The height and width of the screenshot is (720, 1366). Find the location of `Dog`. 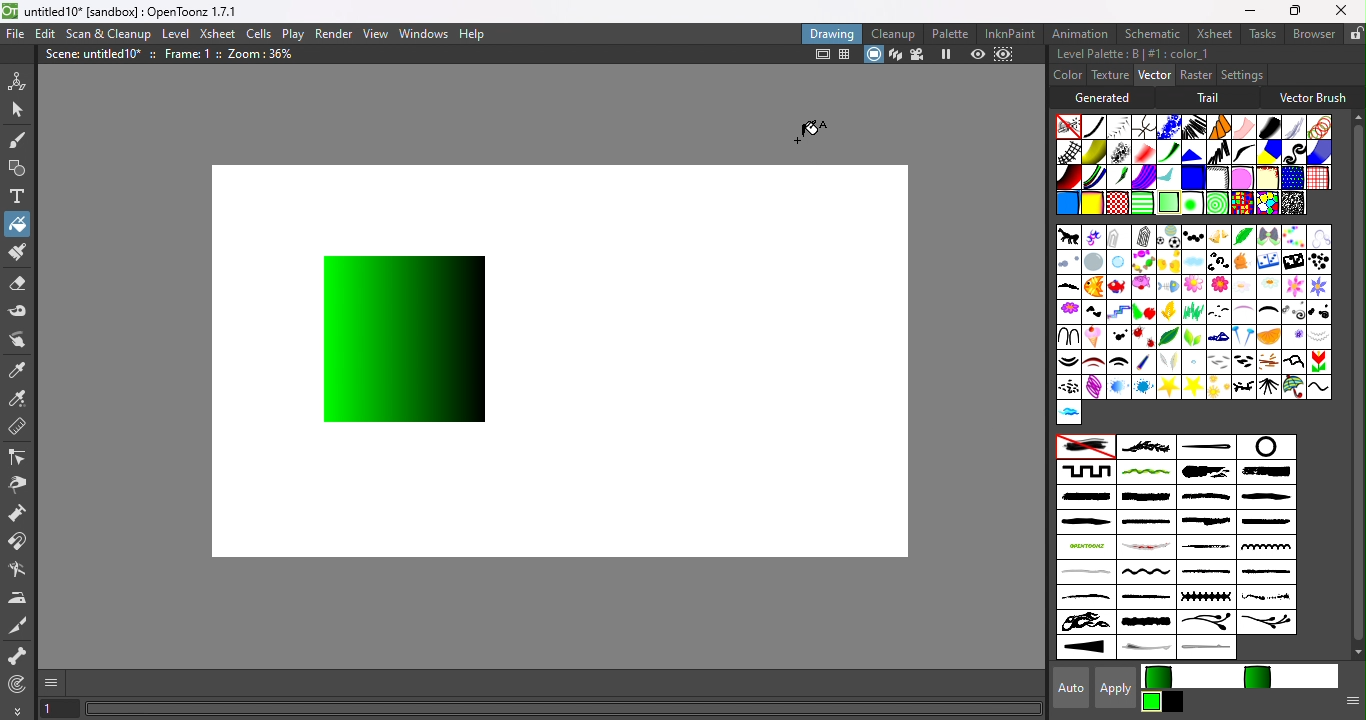

Dog is located at coordinates (1243, 263).